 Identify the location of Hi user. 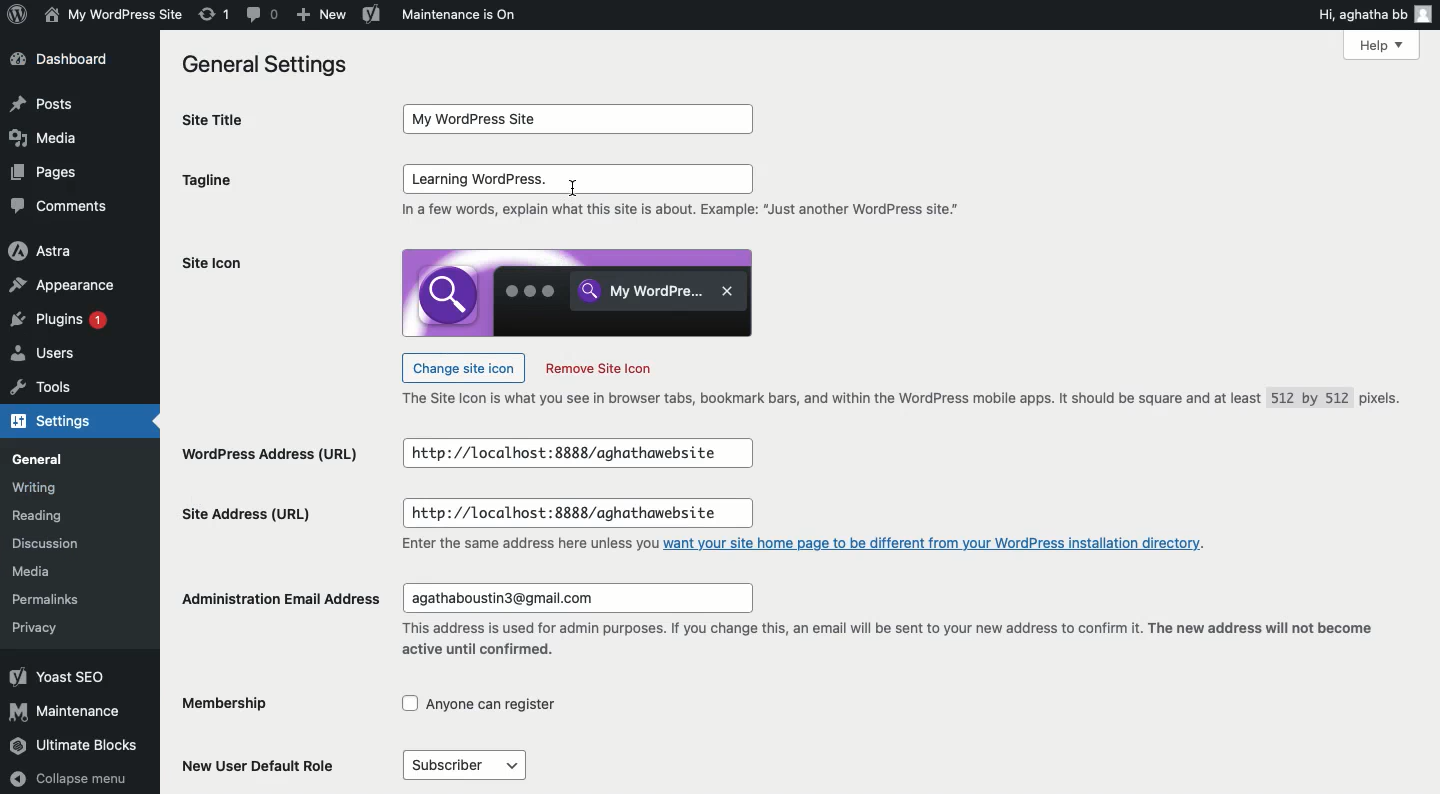
(1376, 14).